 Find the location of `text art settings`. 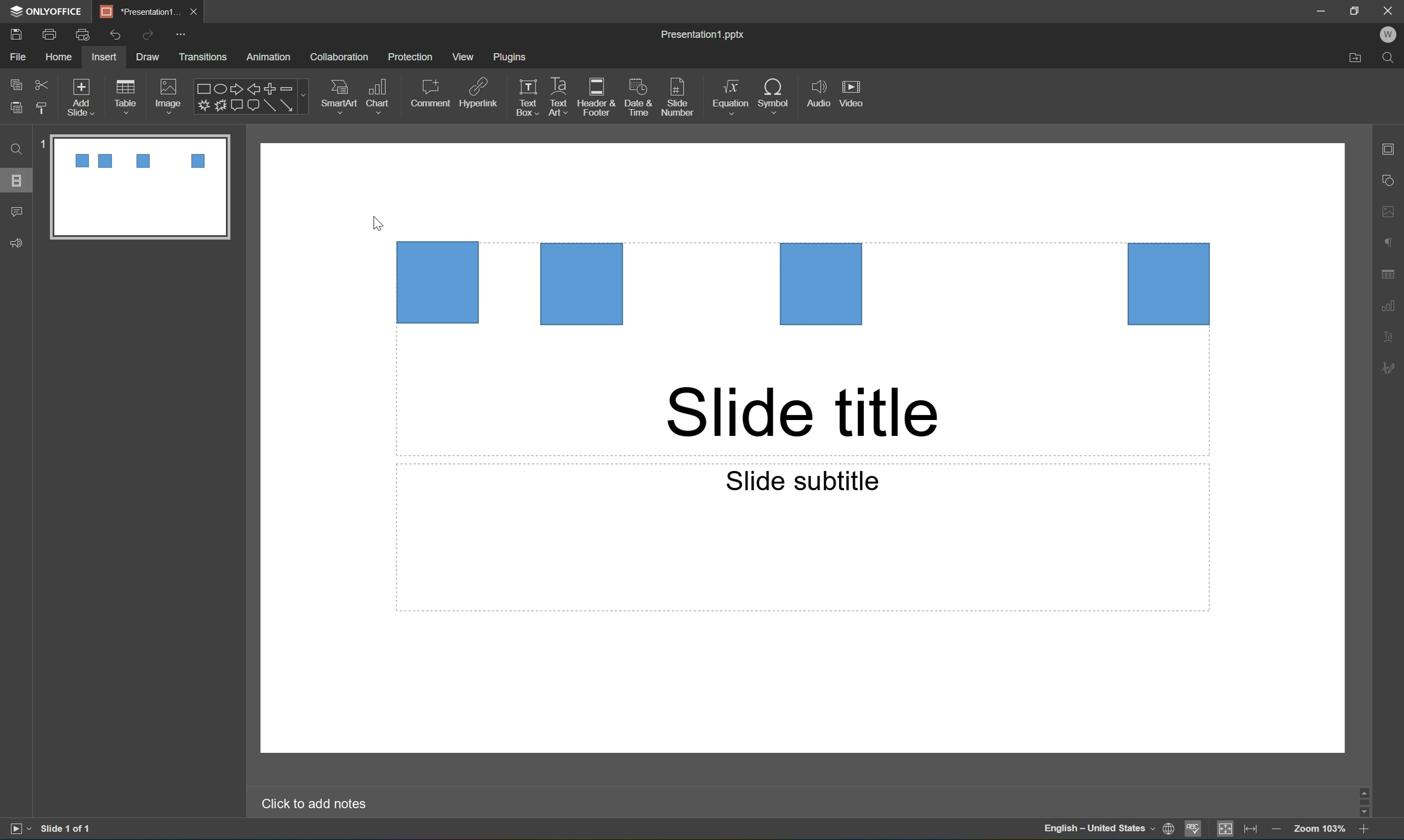

text art settings is located at coordinates (1394, 337).